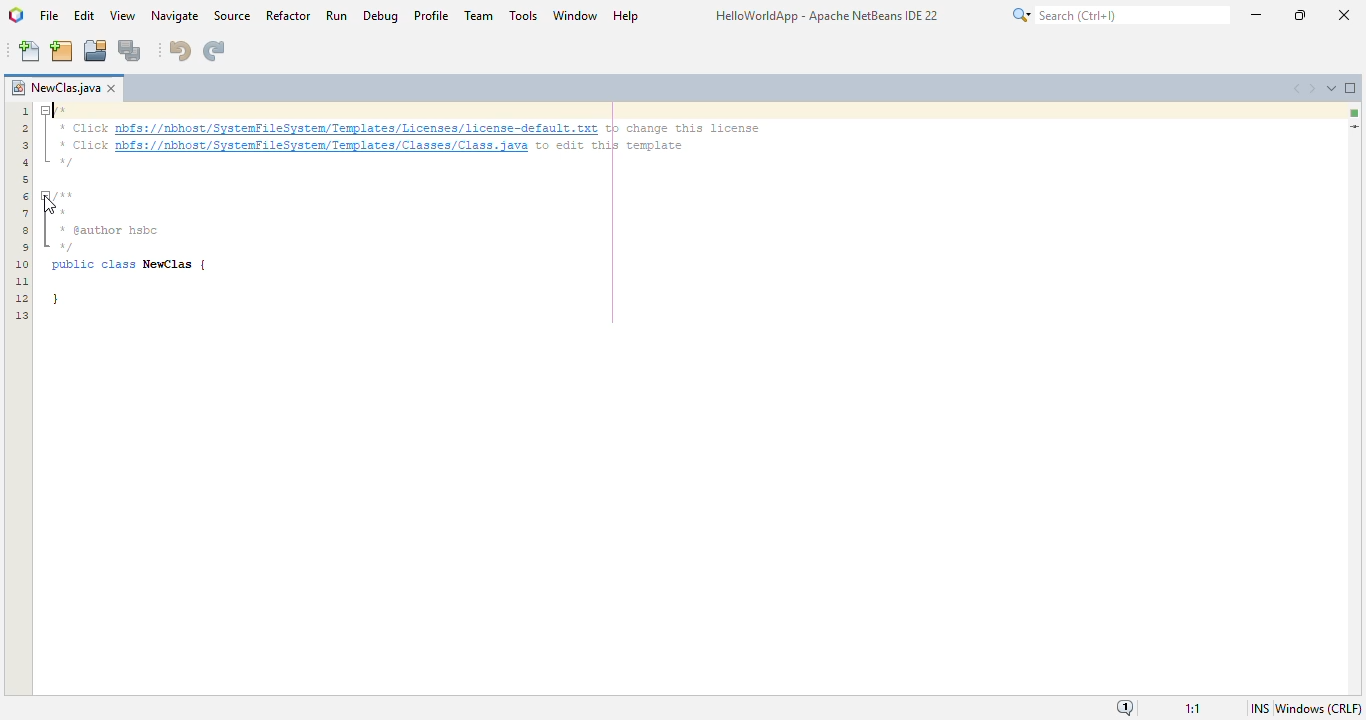 The image size is (1366, 720). Describe the element at coordinates (1301, 14) in the screenshot. I see `maximize` at that location.